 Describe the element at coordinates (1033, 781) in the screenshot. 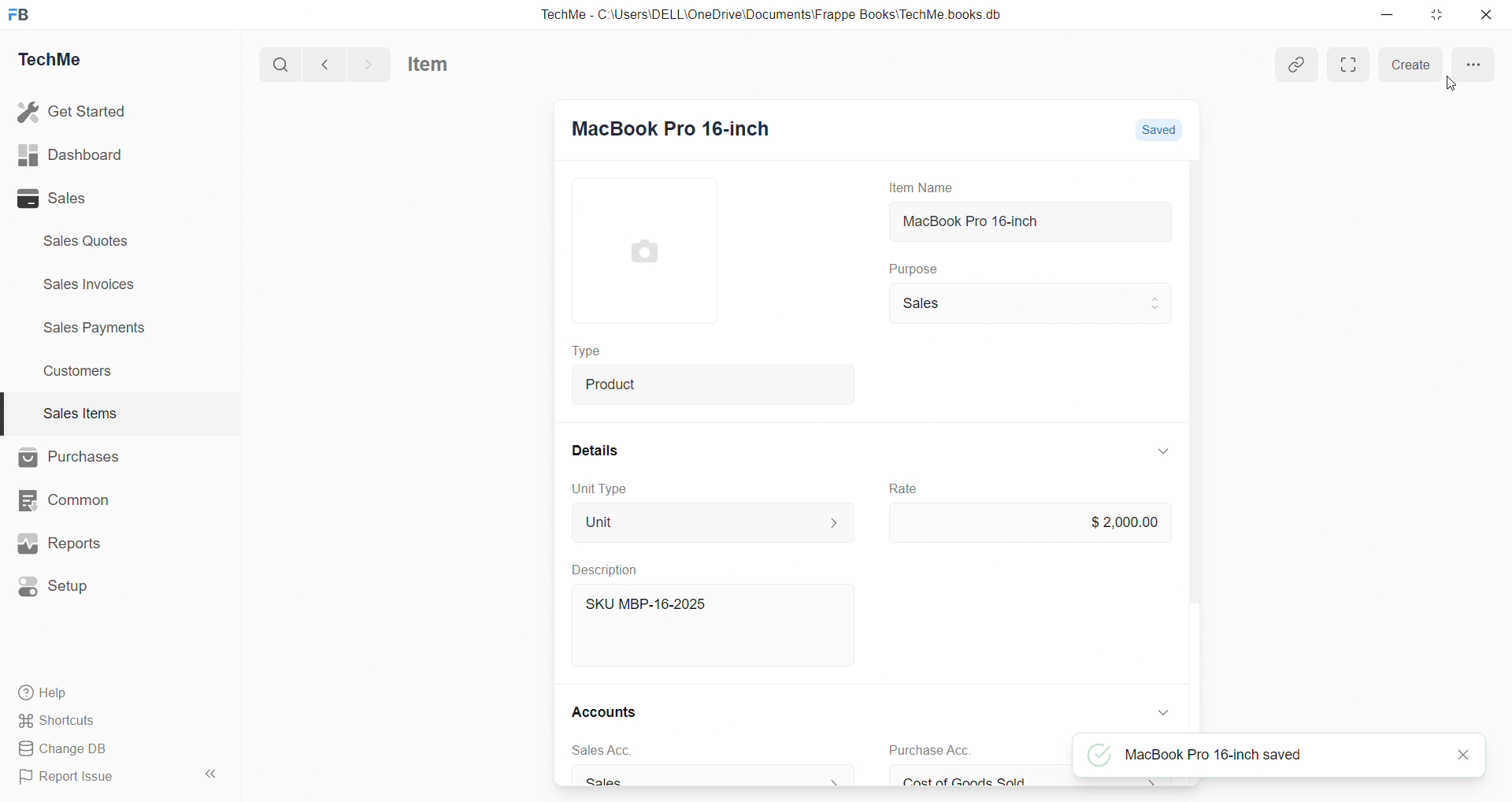

I see `Cost of Goods Sold` at that location.